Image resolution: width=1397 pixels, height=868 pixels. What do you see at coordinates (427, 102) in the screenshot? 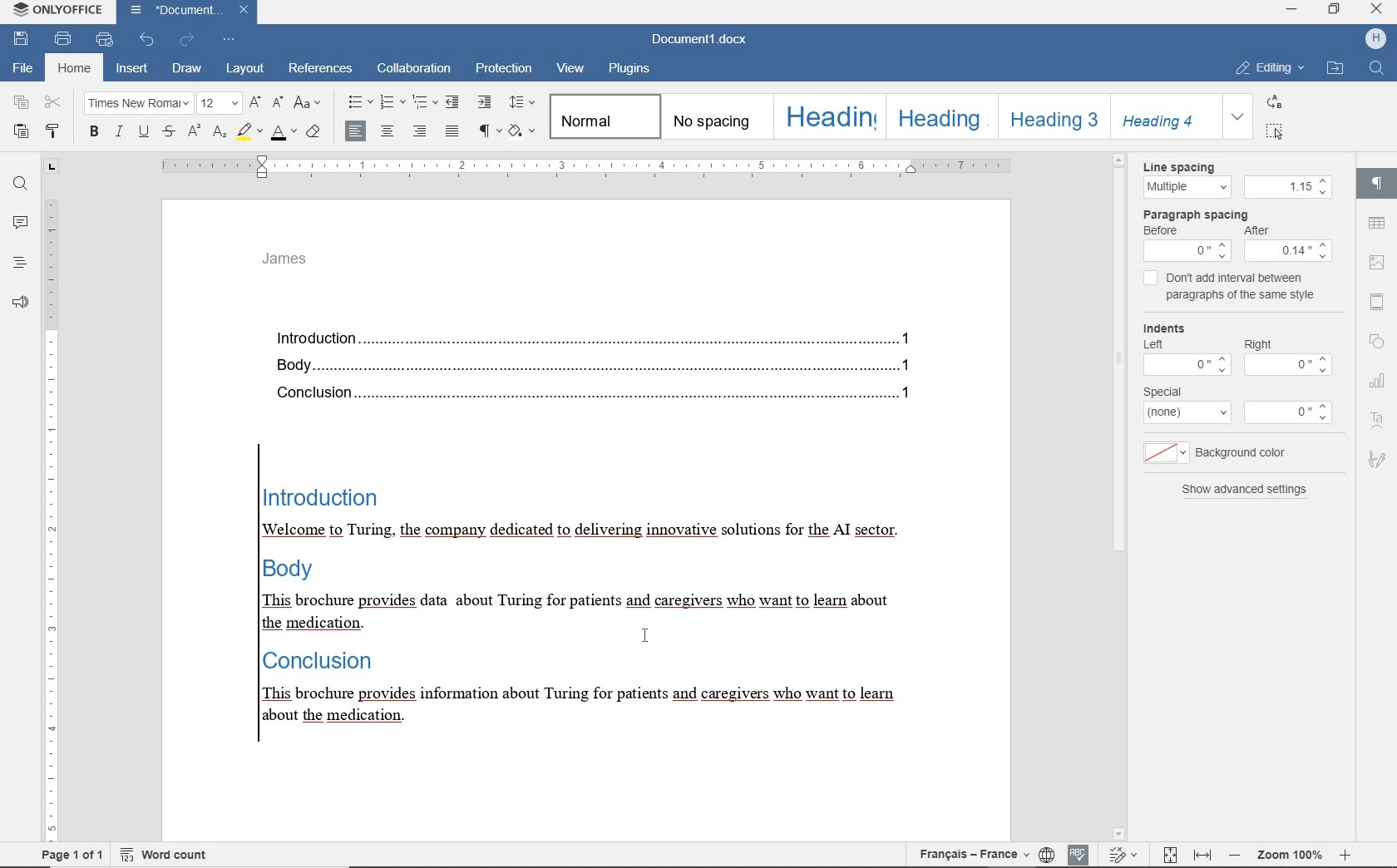
I see `multilevel list` at bounding box center [427, 102].